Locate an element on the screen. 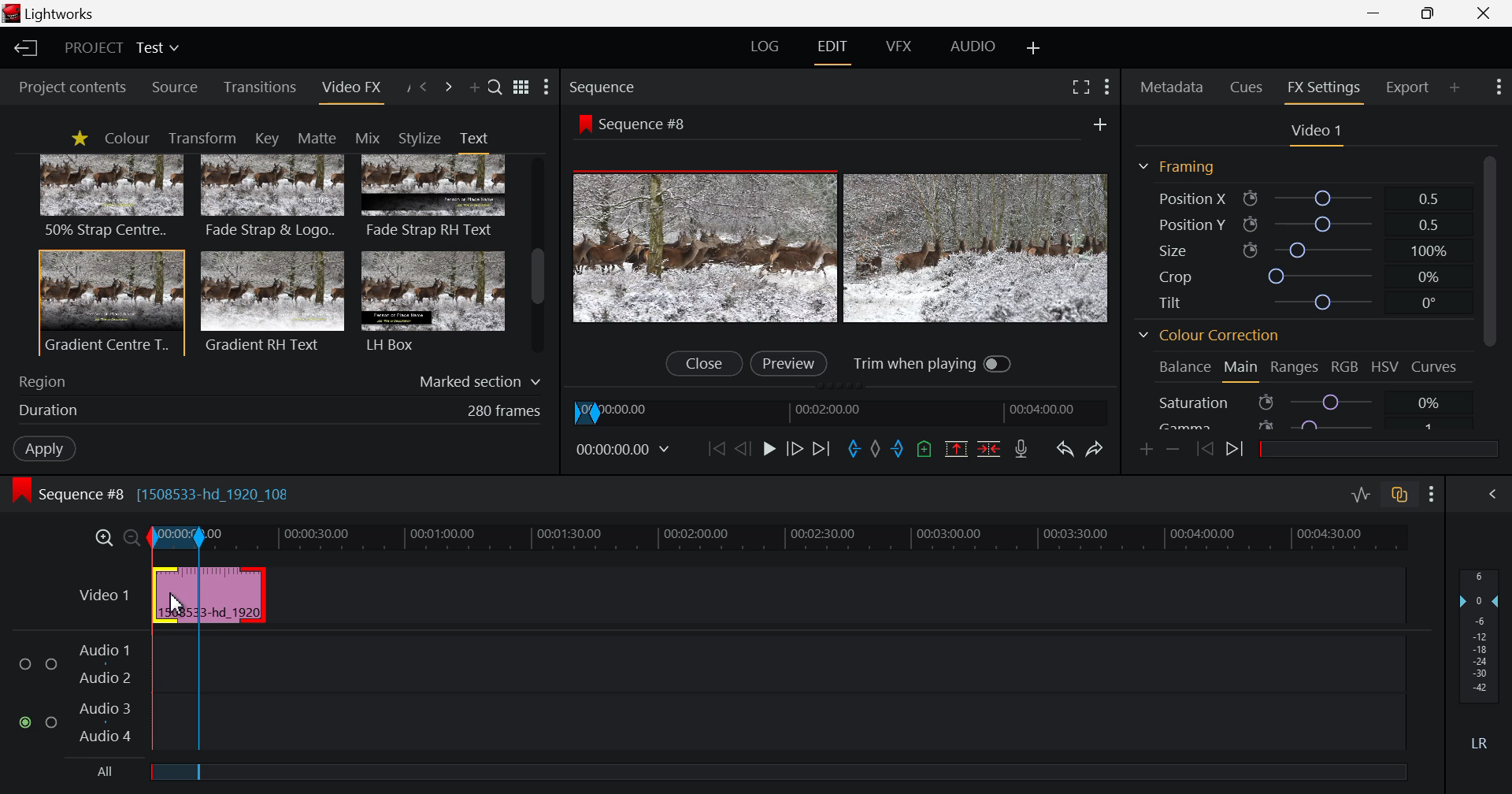 The image size is (1512, 794). Previous keyframe is located at coordinates (1205, 449).